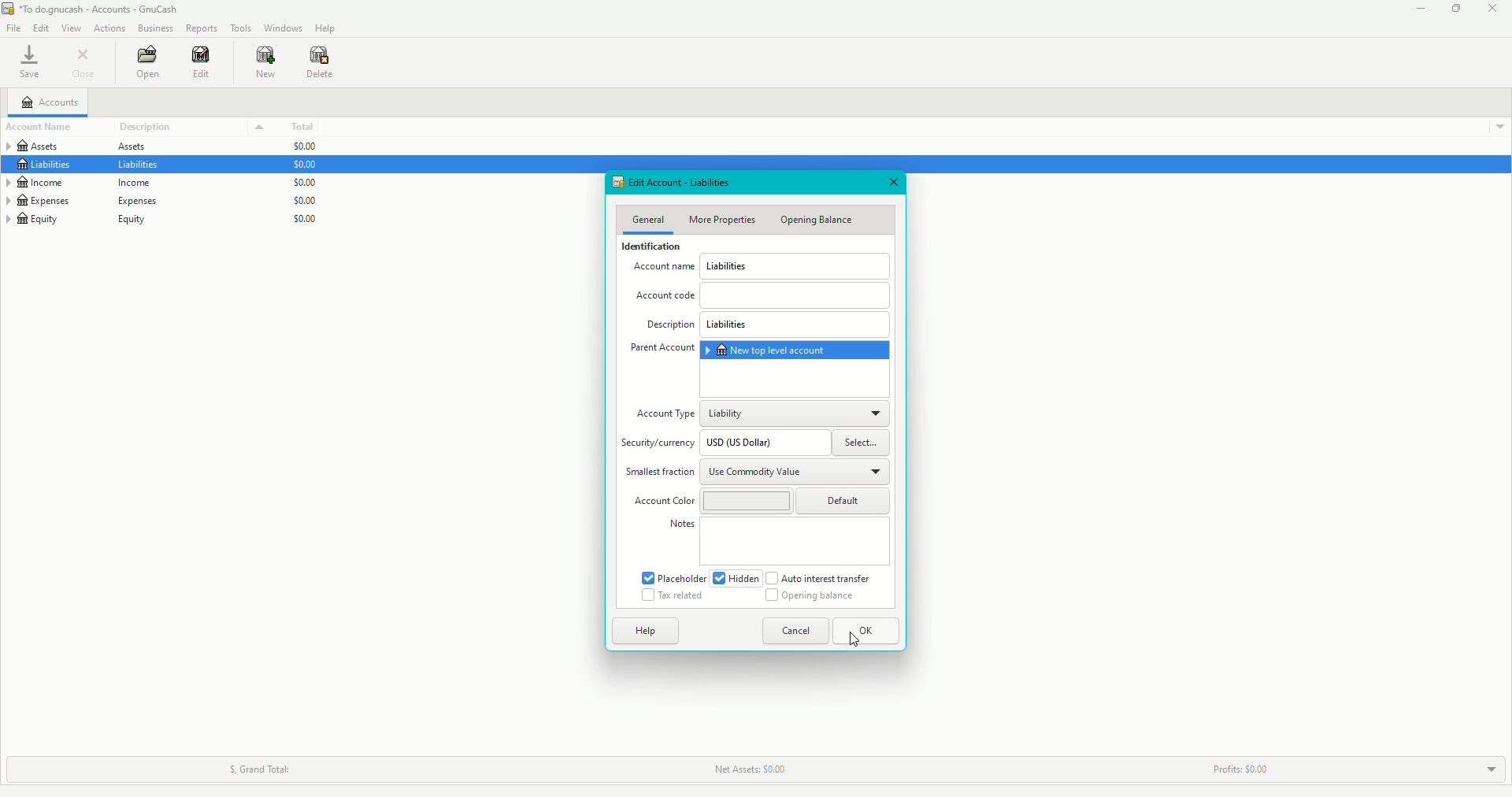 The image size is (1512, 797). Describe the element at coordinates (821, 221) in the screenshot. I see `Opening Balance` at that location.